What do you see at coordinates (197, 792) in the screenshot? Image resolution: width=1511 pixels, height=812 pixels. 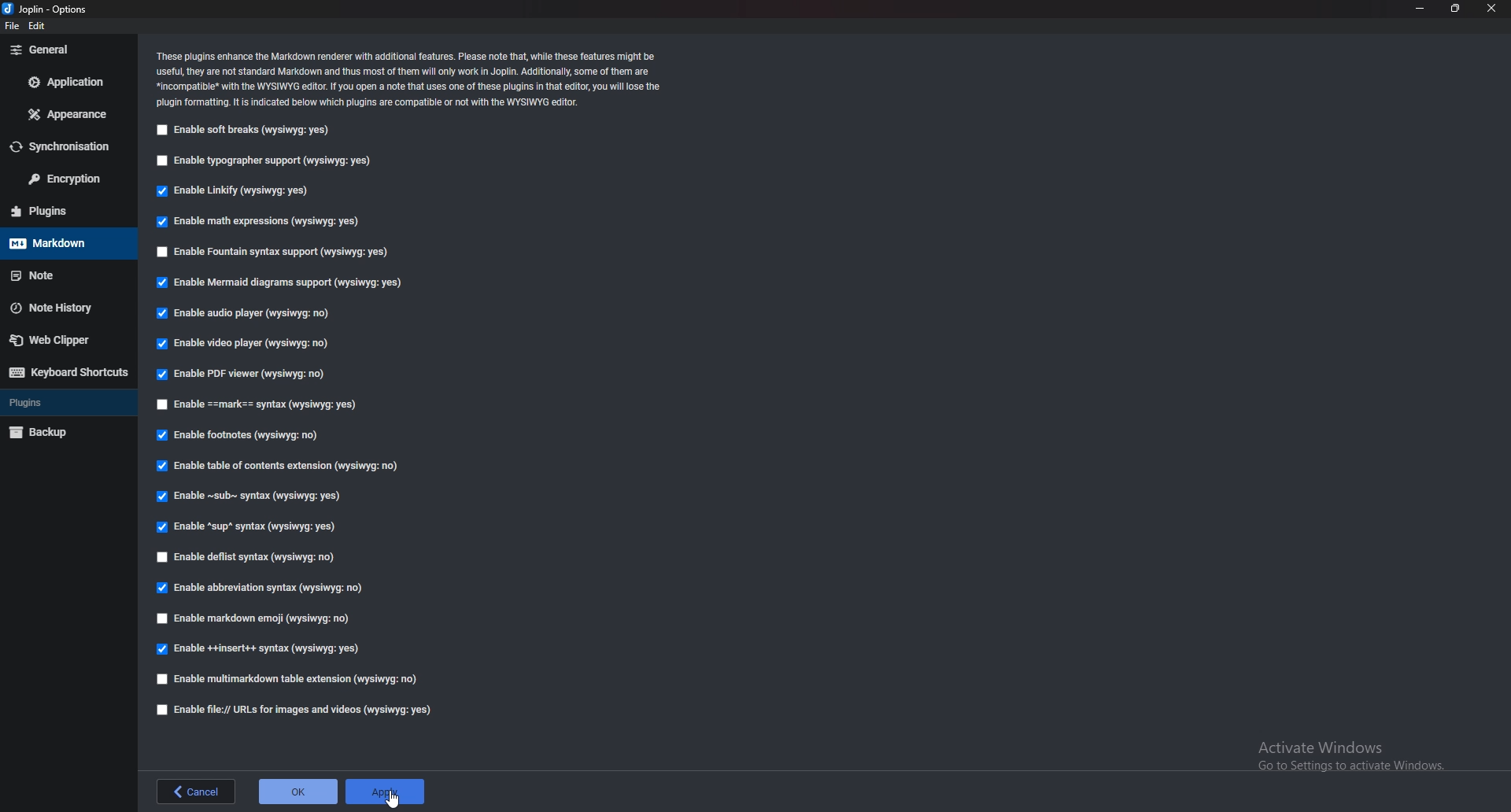 I see `back` at bounding box center [197, 792].